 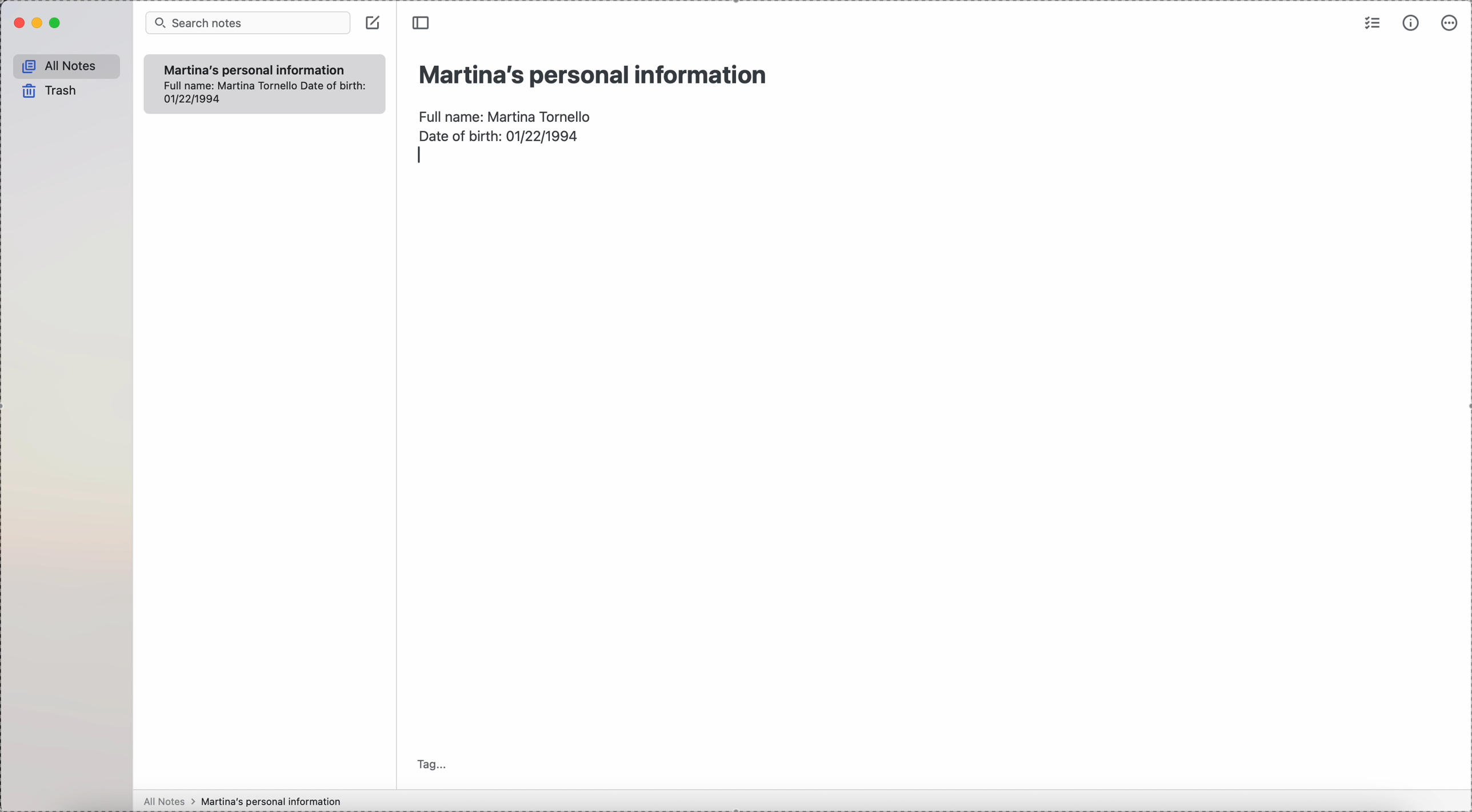 What do you see at coordinates (419, 23) in the screenshot?
I see `toggle sidebar` at bounding box center [419, 23].